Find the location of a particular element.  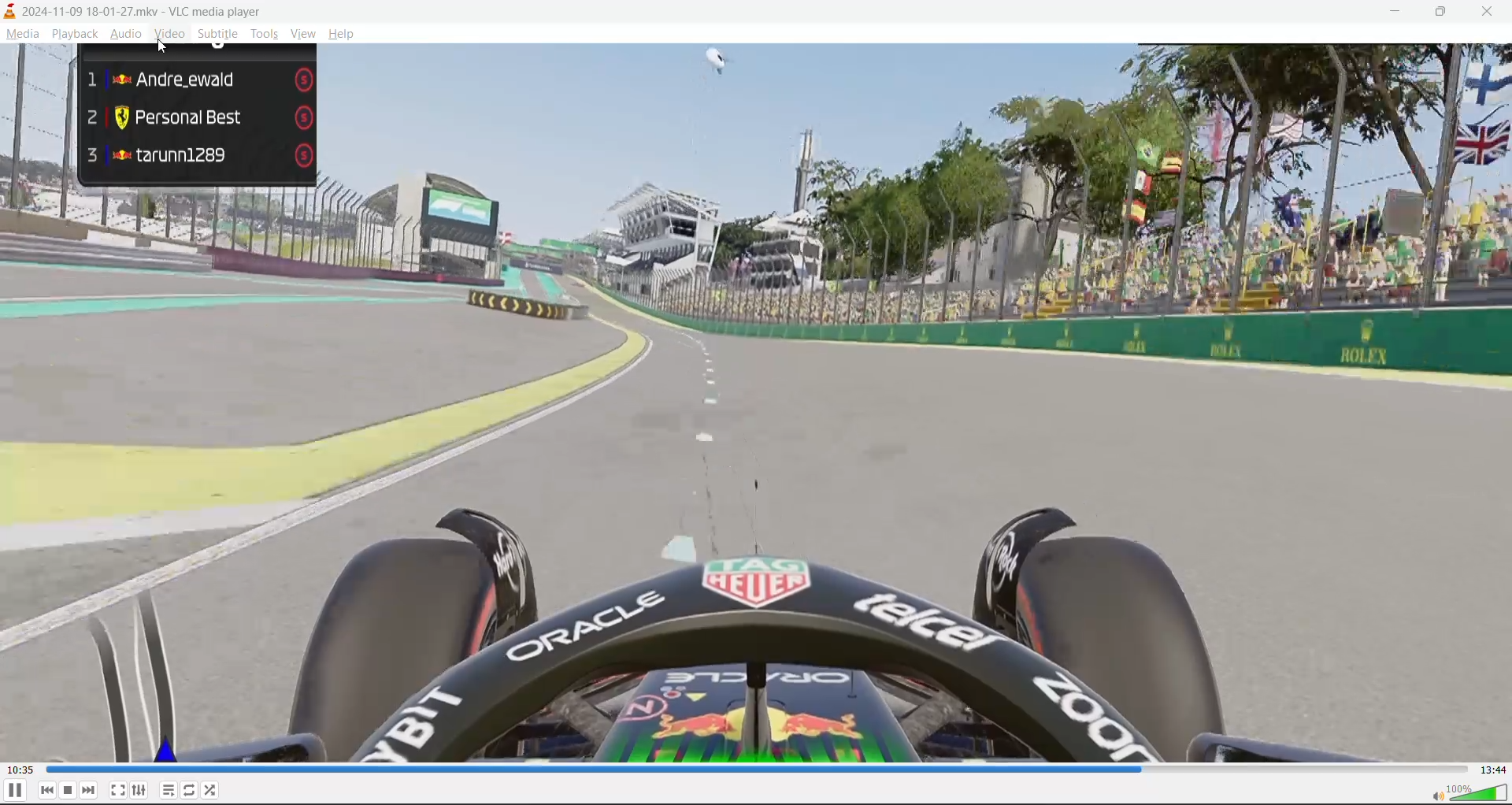

help is located at coordinates (339, 33).